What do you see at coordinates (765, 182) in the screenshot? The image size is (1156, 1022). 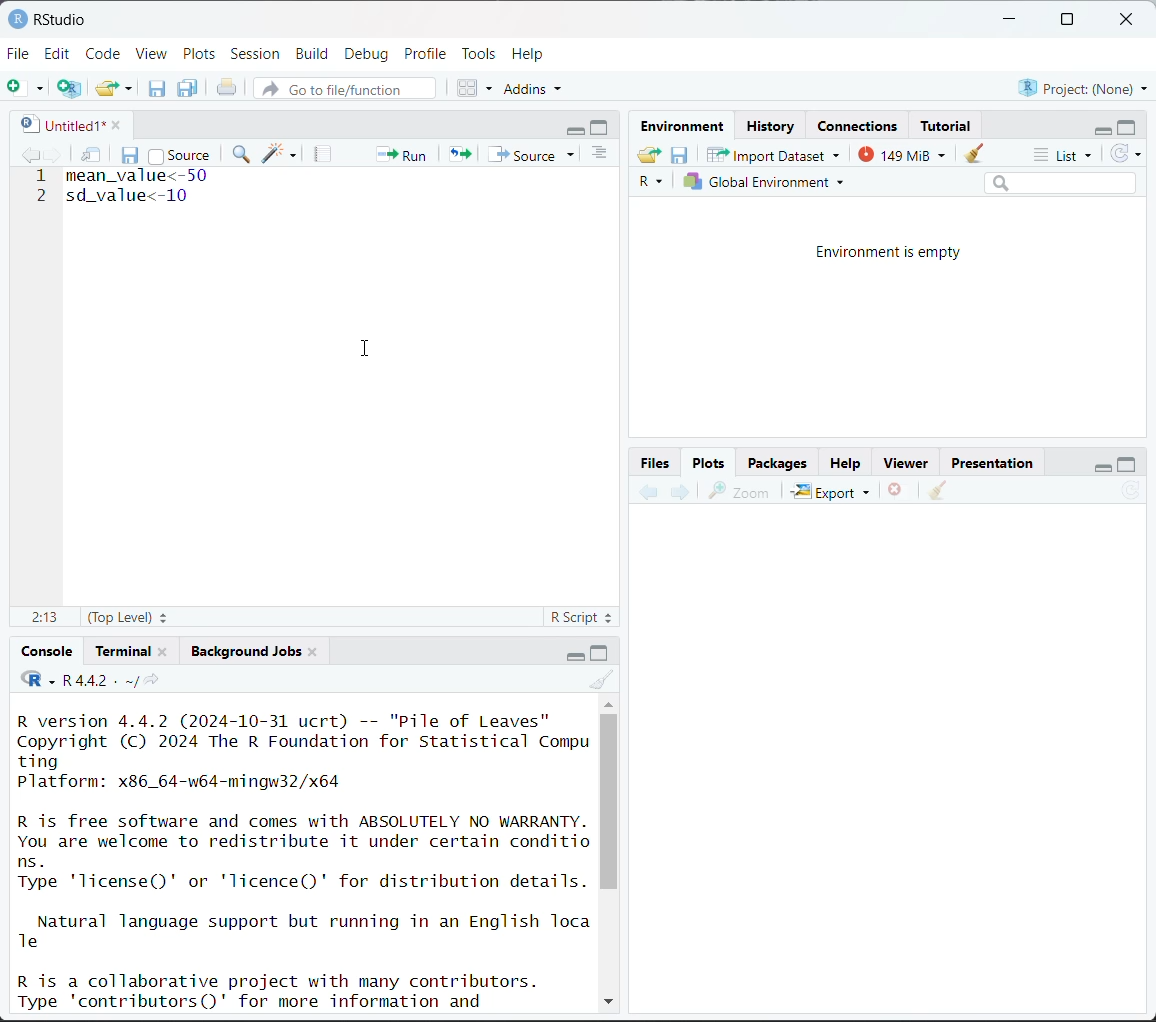 I see `Global environment` at bounding box center [765, 182].